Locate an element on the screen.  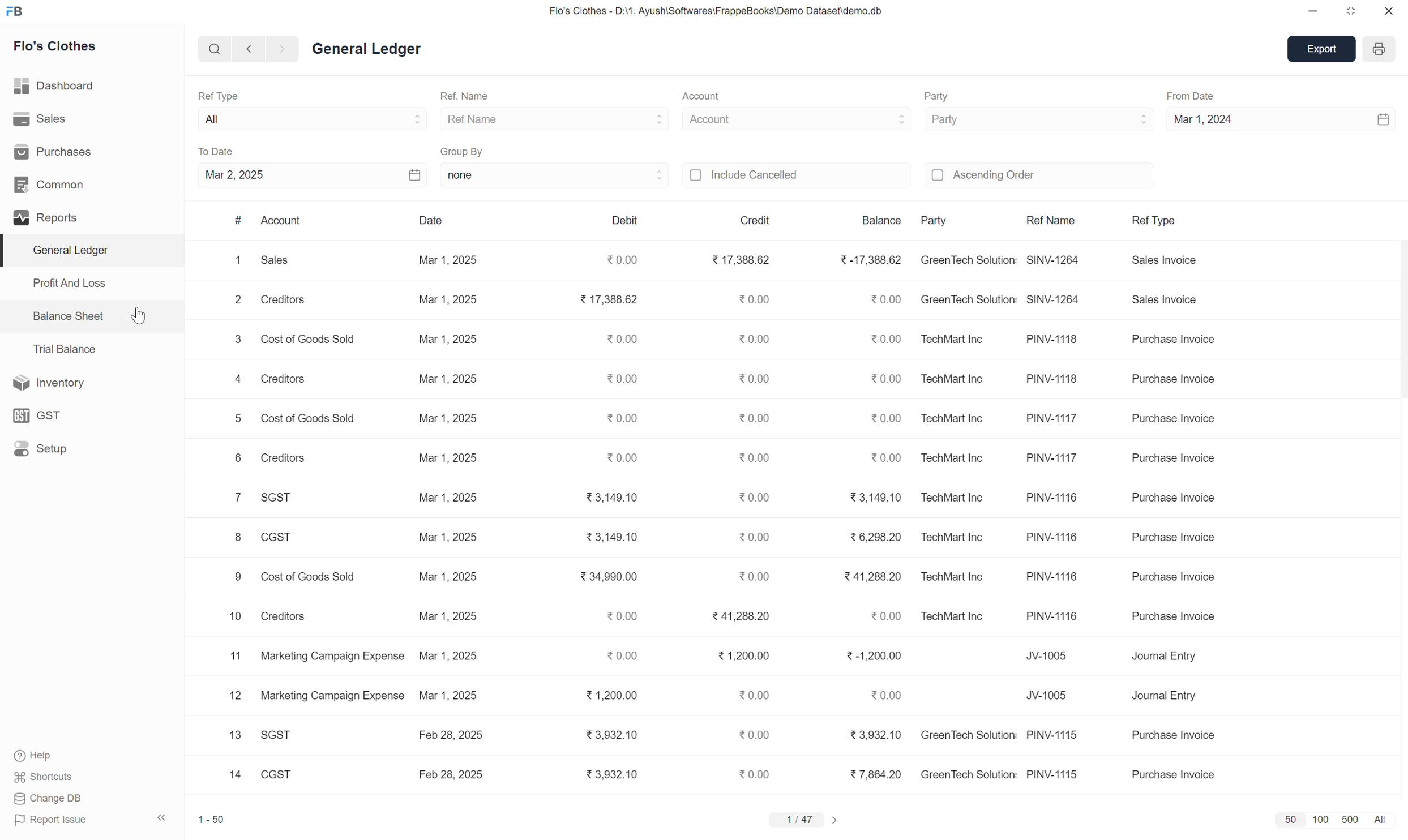
Purchase invoice is located at coordinates (1176, 378).